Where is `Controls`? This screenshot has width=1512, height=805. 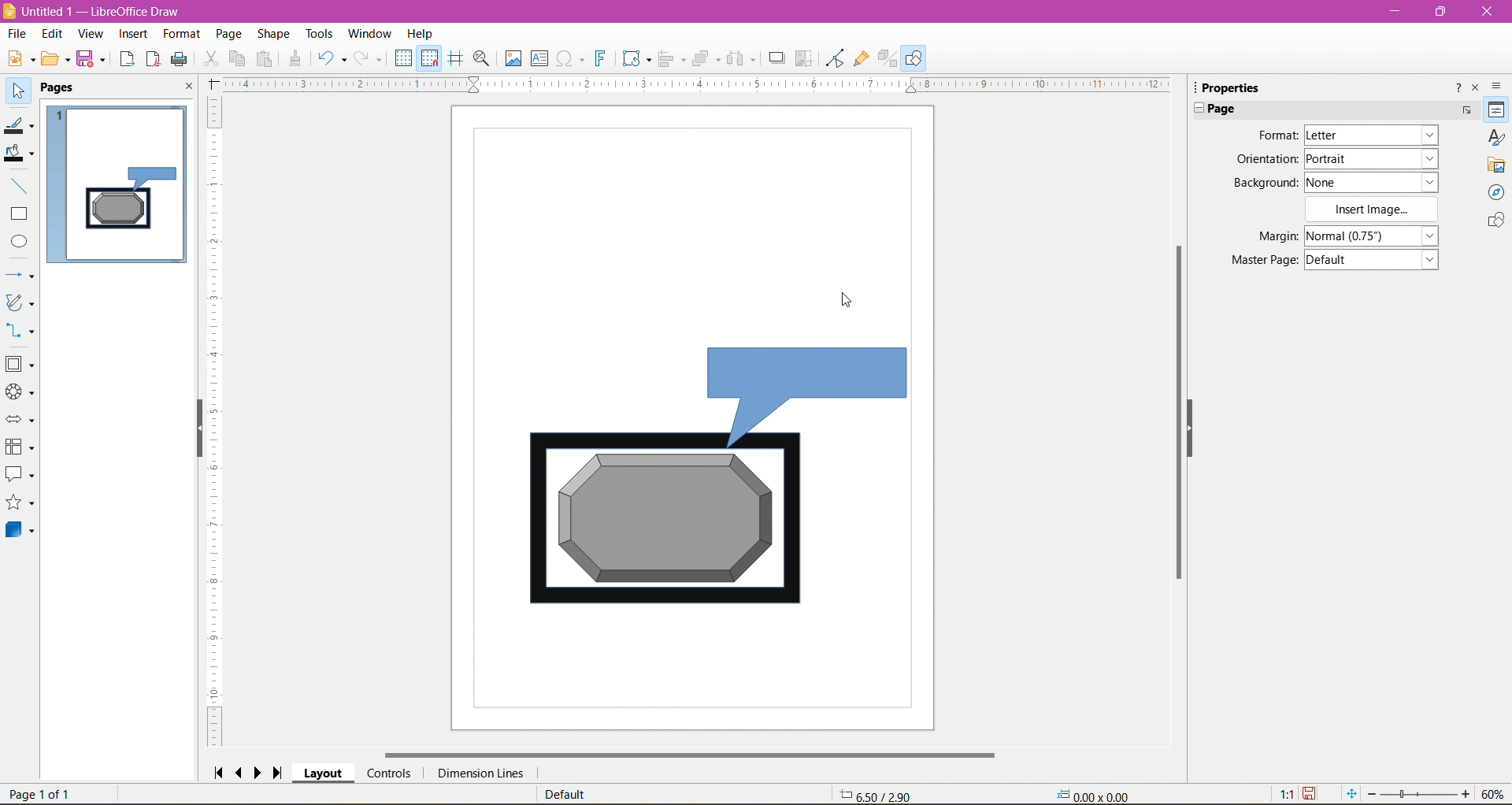
Controls is located at coordinates (389, 773).